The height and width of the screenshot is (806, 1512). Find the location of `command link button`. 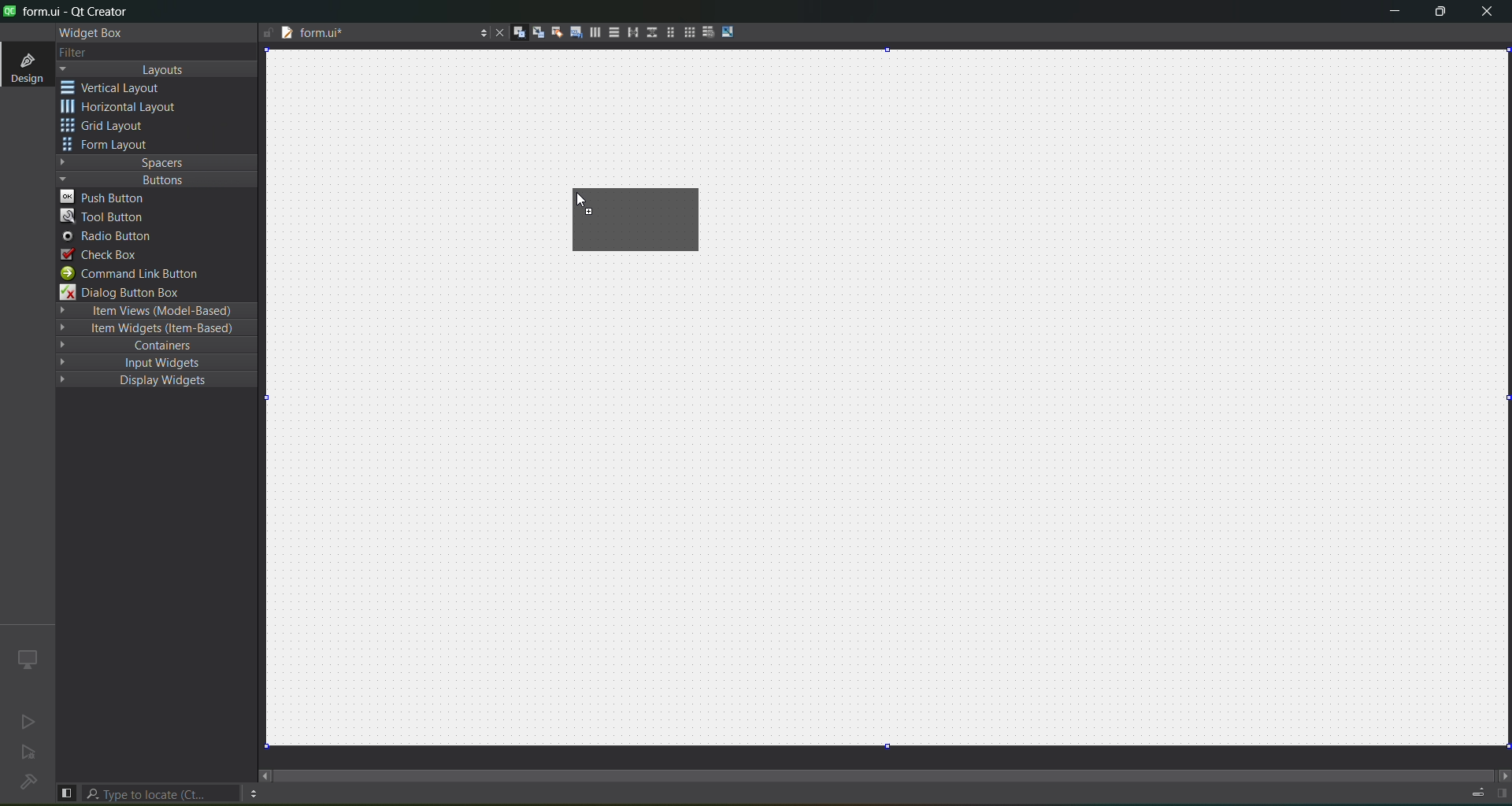

command link button is located at coordinates (139, 274).